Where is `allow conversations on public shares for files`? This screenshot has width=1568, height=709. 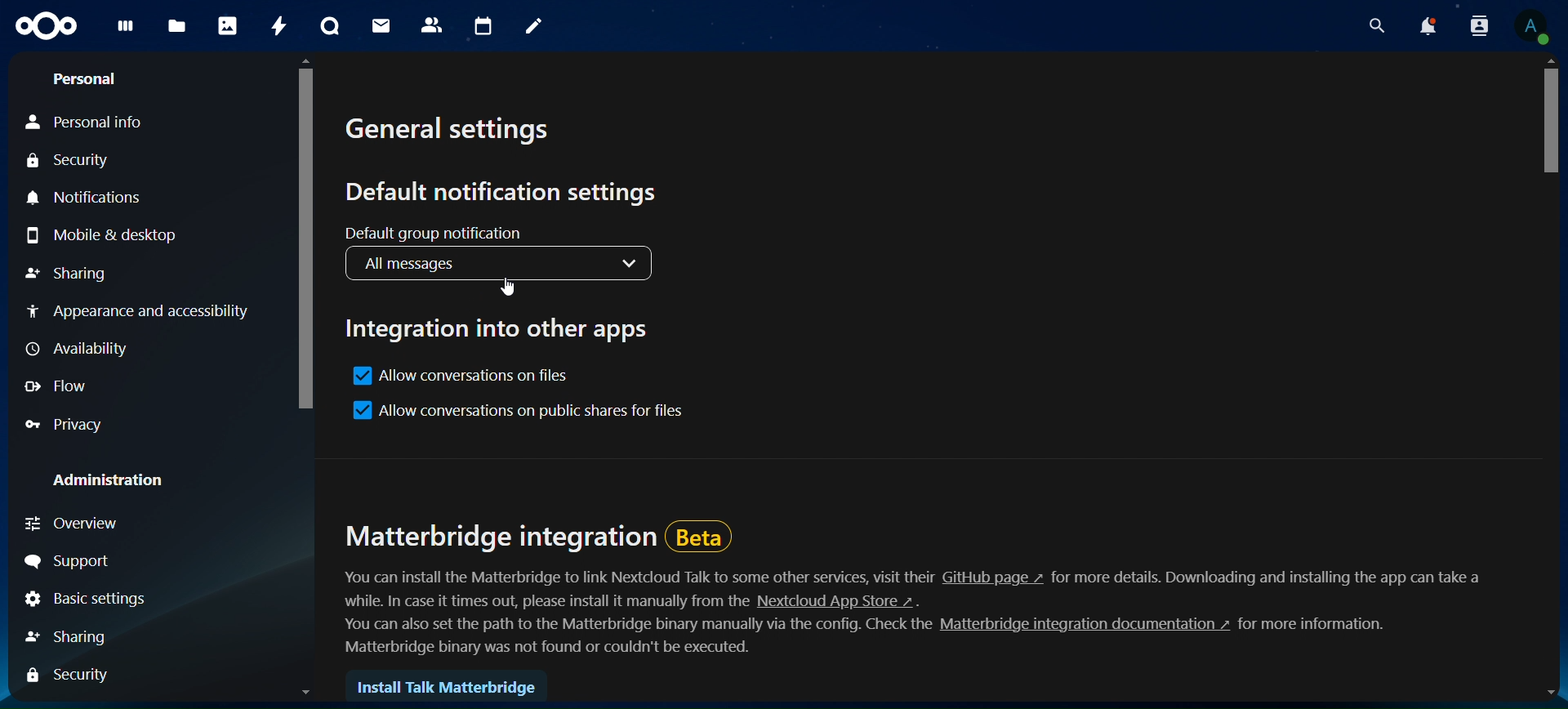 allow conversations on public shares for files is located at coordinates (521, 410).